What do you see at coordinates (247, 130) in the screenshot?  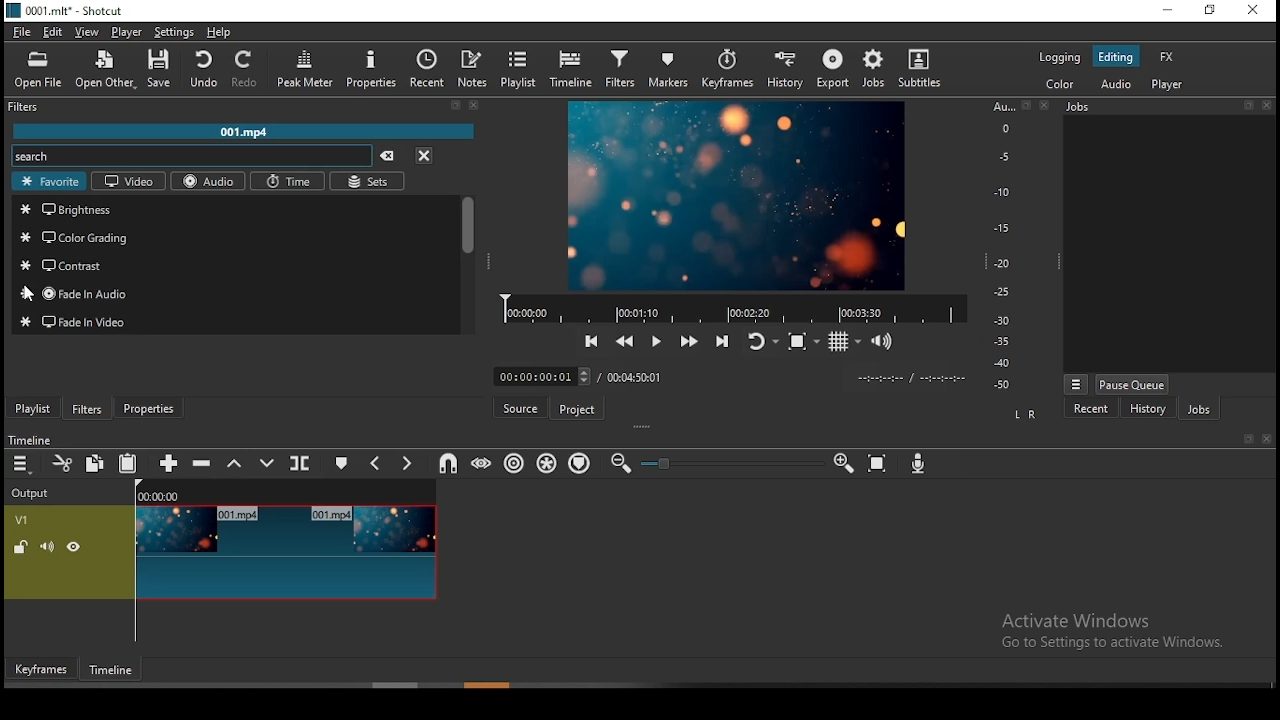 I see `001.mp4` at bounding box center [247, 130].